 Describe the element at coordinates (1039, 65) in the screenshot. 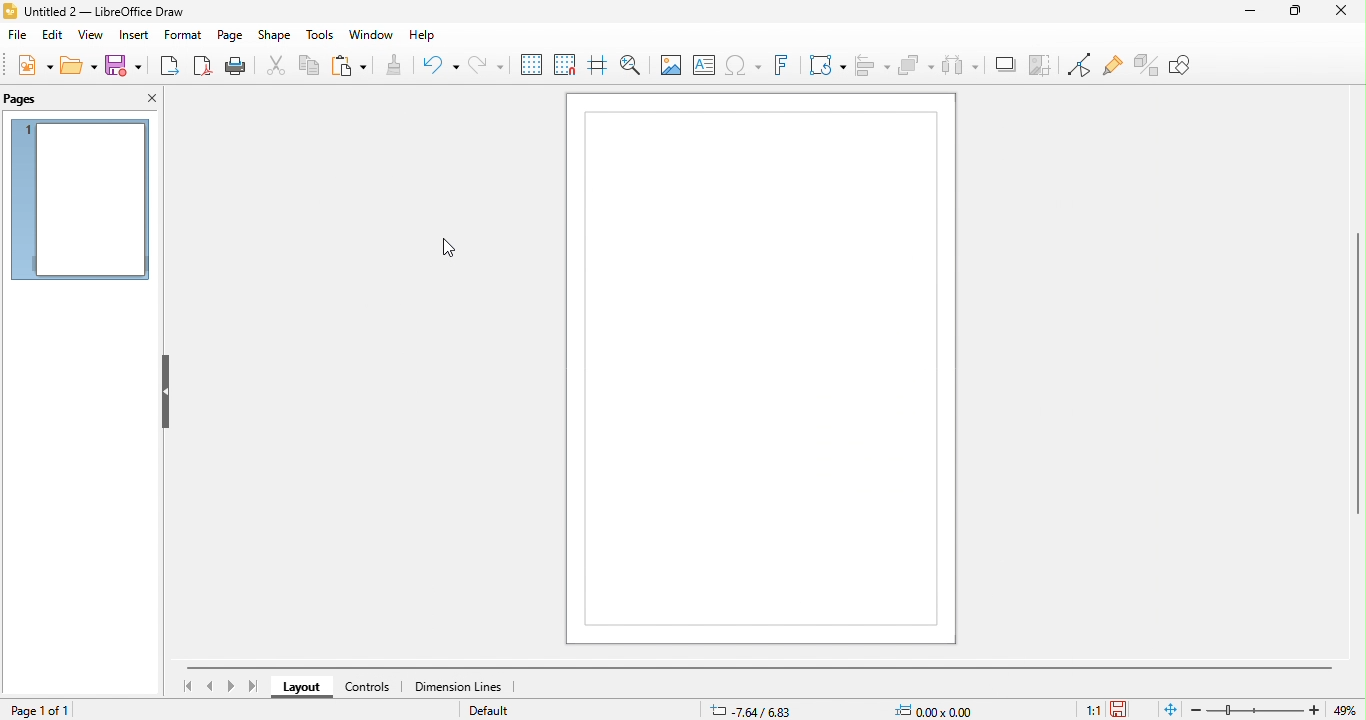

I see `crop` at that location.